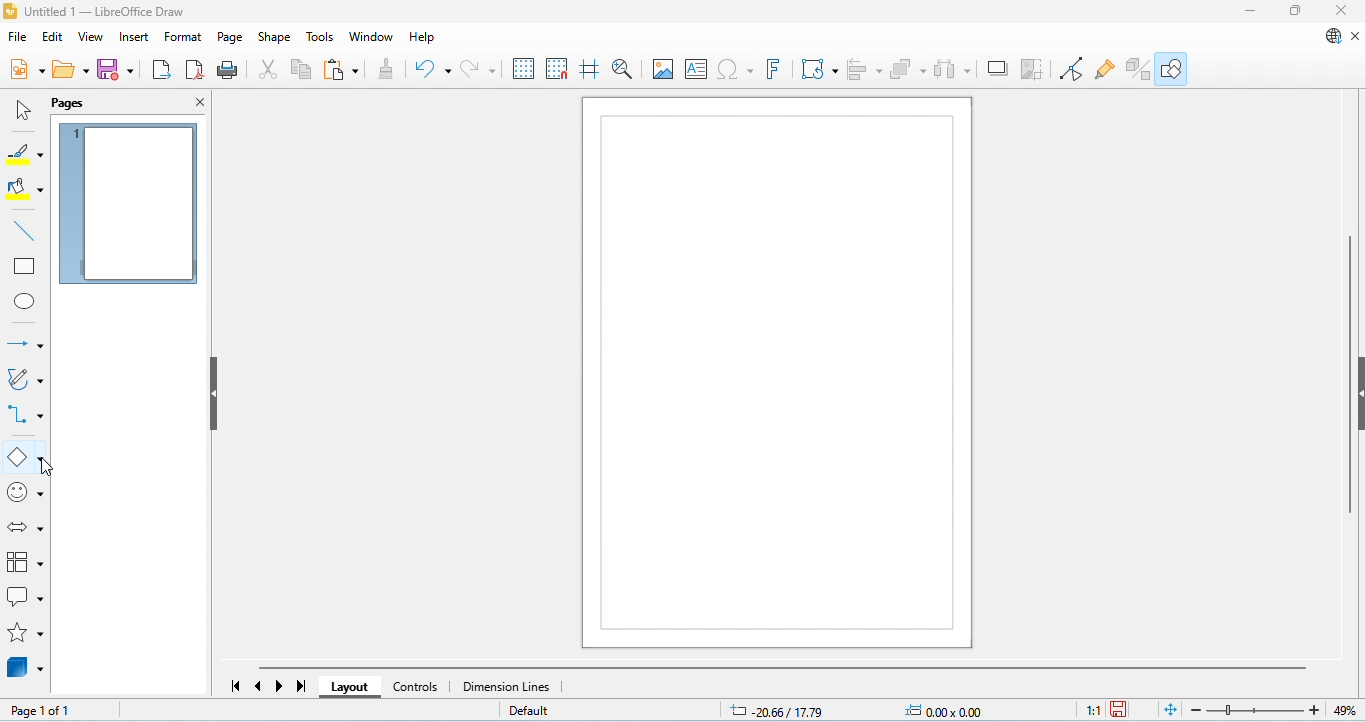 Image resolution: width=1366 pixels, height=722 pixels. Describe the element at coordinates (114, 69) in the screenshot. I see `save` at that location.